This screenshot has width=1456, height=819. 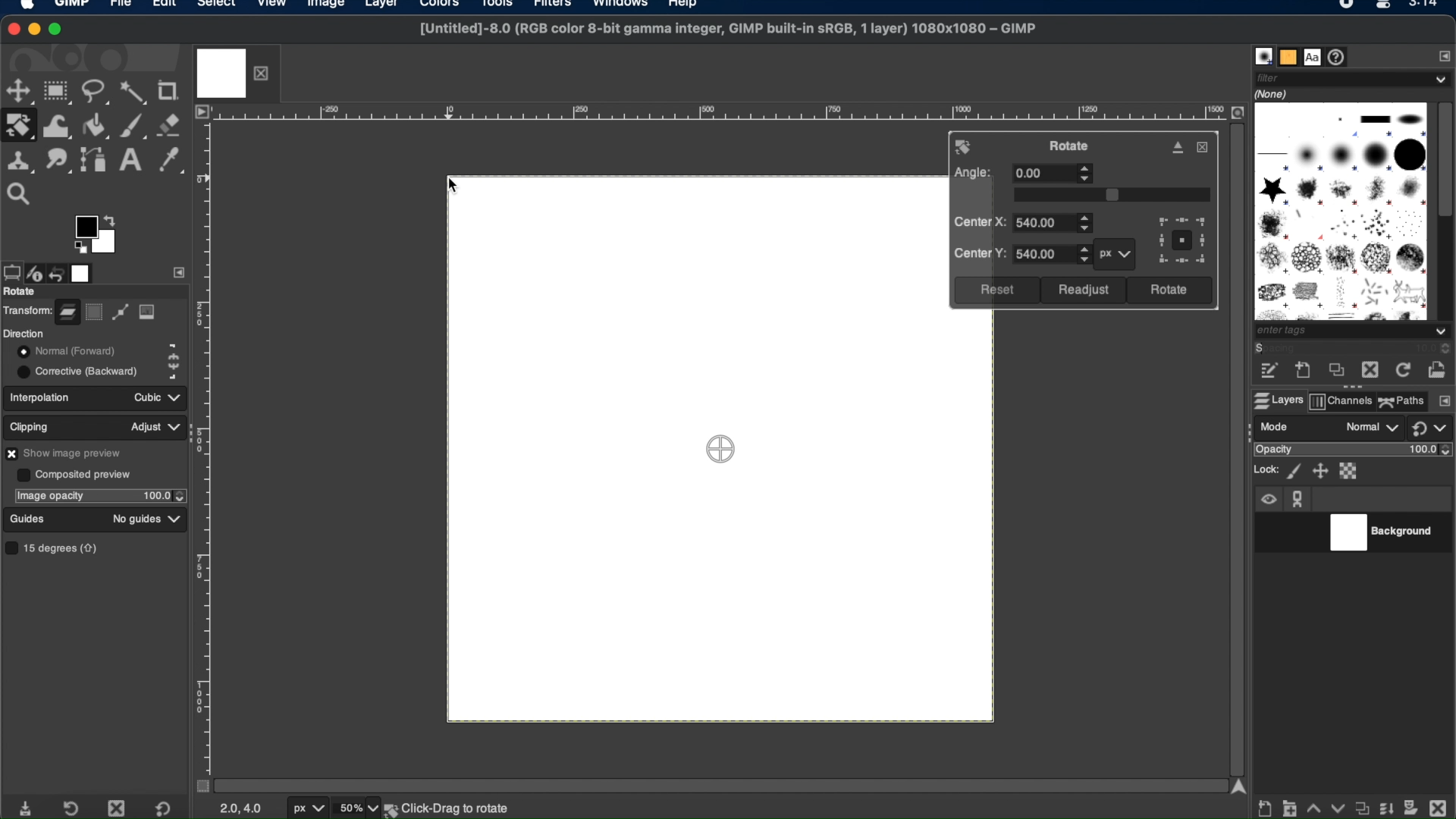 What do you see at coordinates (722, 450) in the screenshot?
I see `drag center` at bounding box center [722, 450].